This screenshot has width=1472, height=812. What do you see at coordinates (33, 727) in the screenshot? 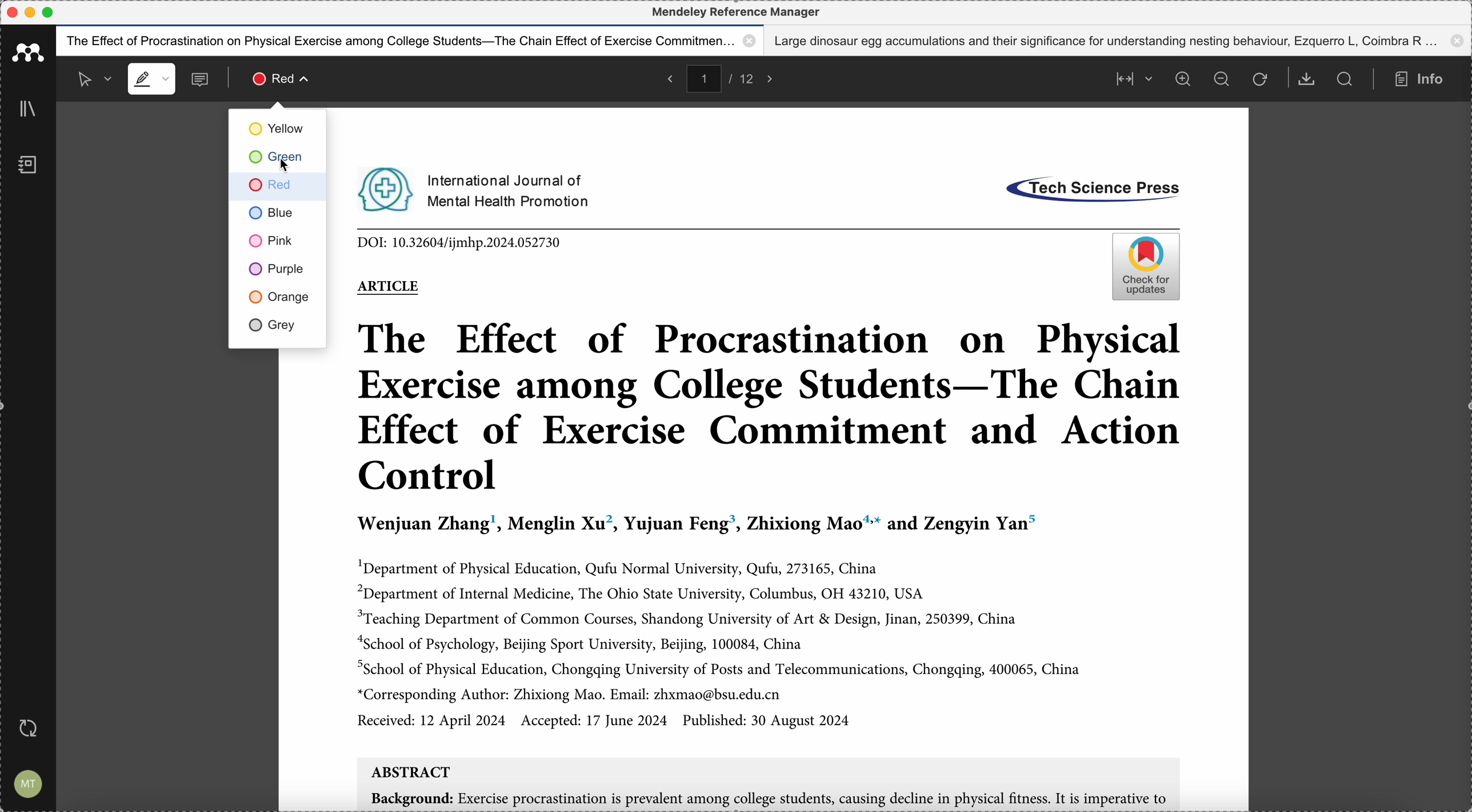
I see `last sync` at bounding box center [33, 727].